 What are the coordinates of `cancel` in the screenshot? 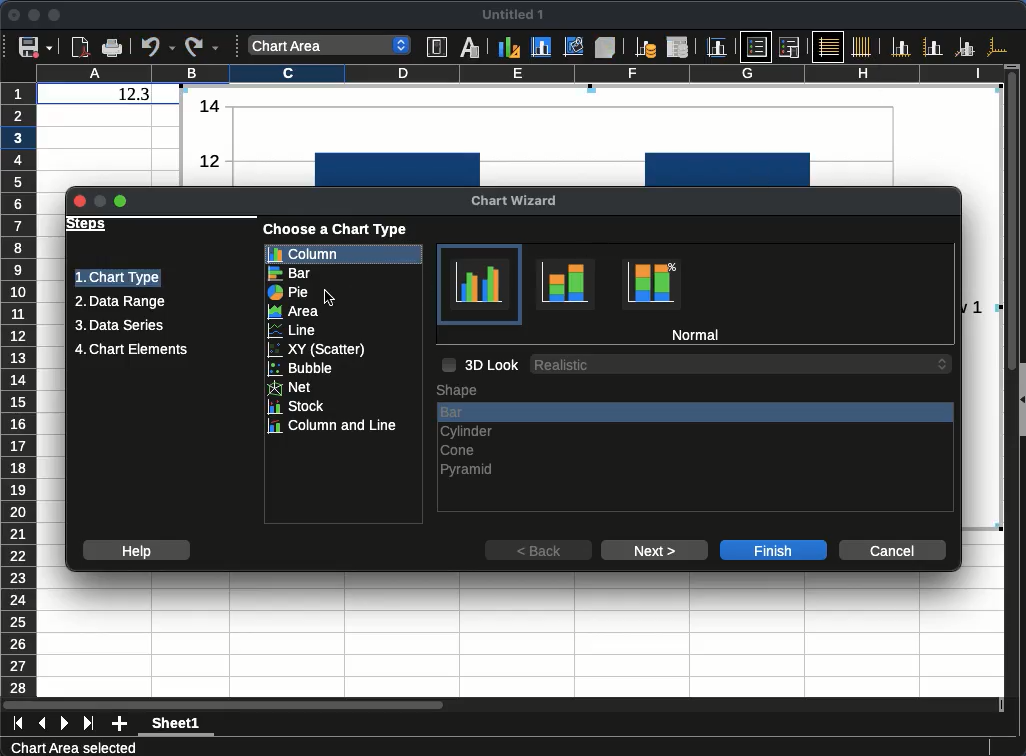 It's located at (893, 550).